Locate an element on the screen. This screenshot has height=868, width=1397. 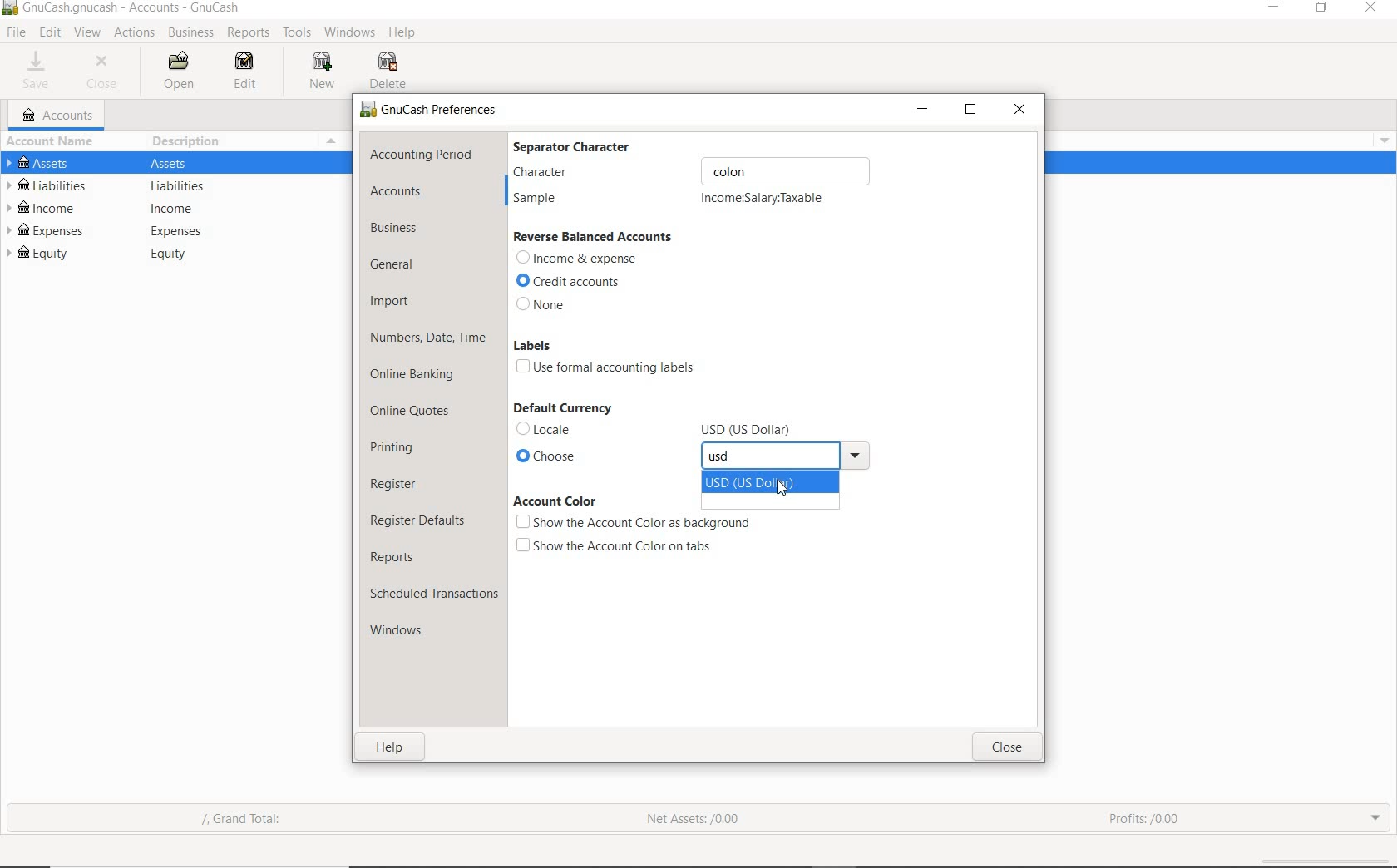
OPEN is located at coordinates (182, 72).